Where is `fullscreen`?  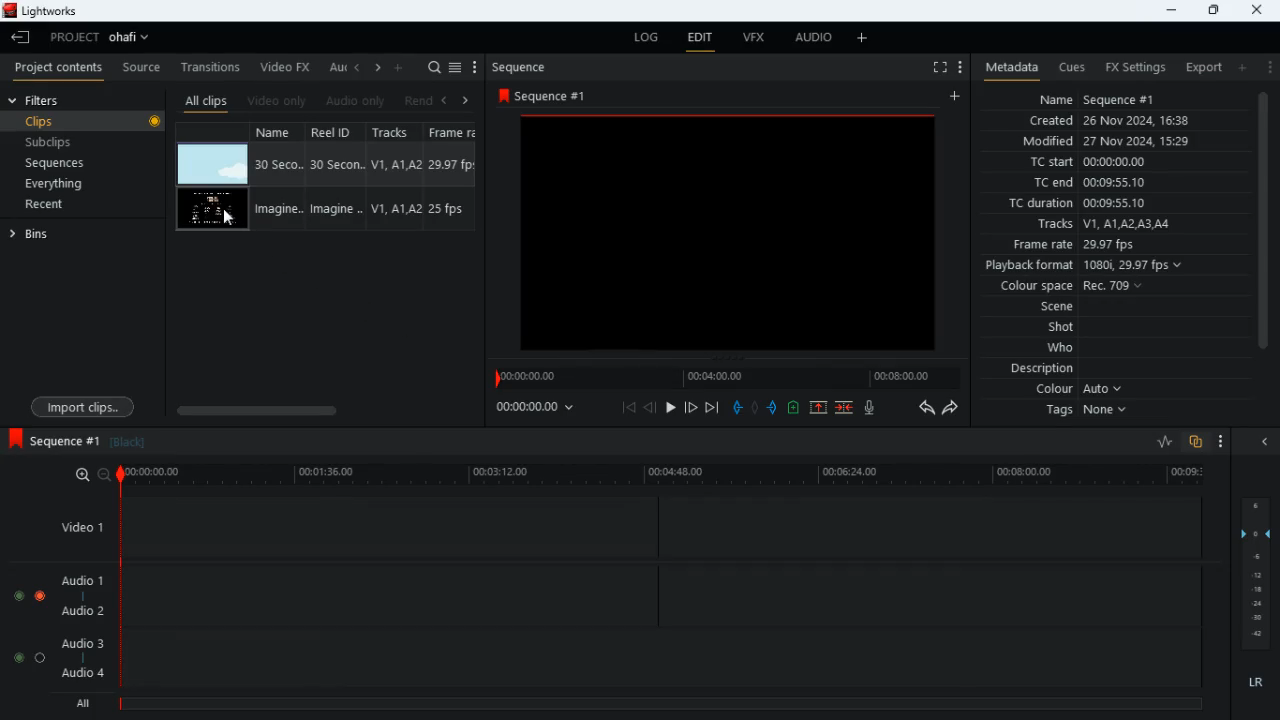
fullscreen is located at coordinates (938, 68).